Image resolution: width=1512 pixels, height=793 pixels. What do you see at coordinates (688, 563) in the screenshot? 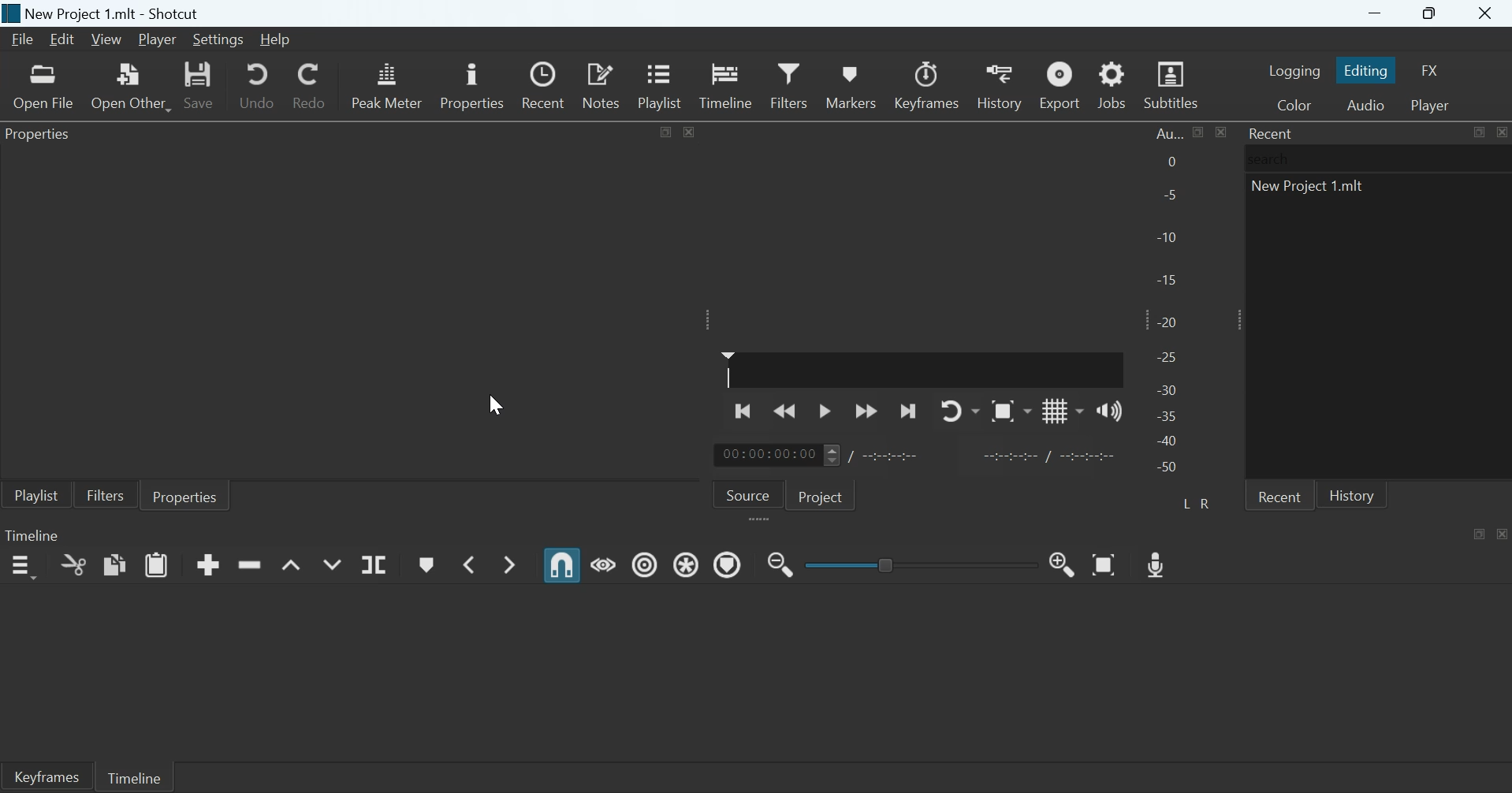
I see `Ripple all tracks` at bounding box center [688, 563].